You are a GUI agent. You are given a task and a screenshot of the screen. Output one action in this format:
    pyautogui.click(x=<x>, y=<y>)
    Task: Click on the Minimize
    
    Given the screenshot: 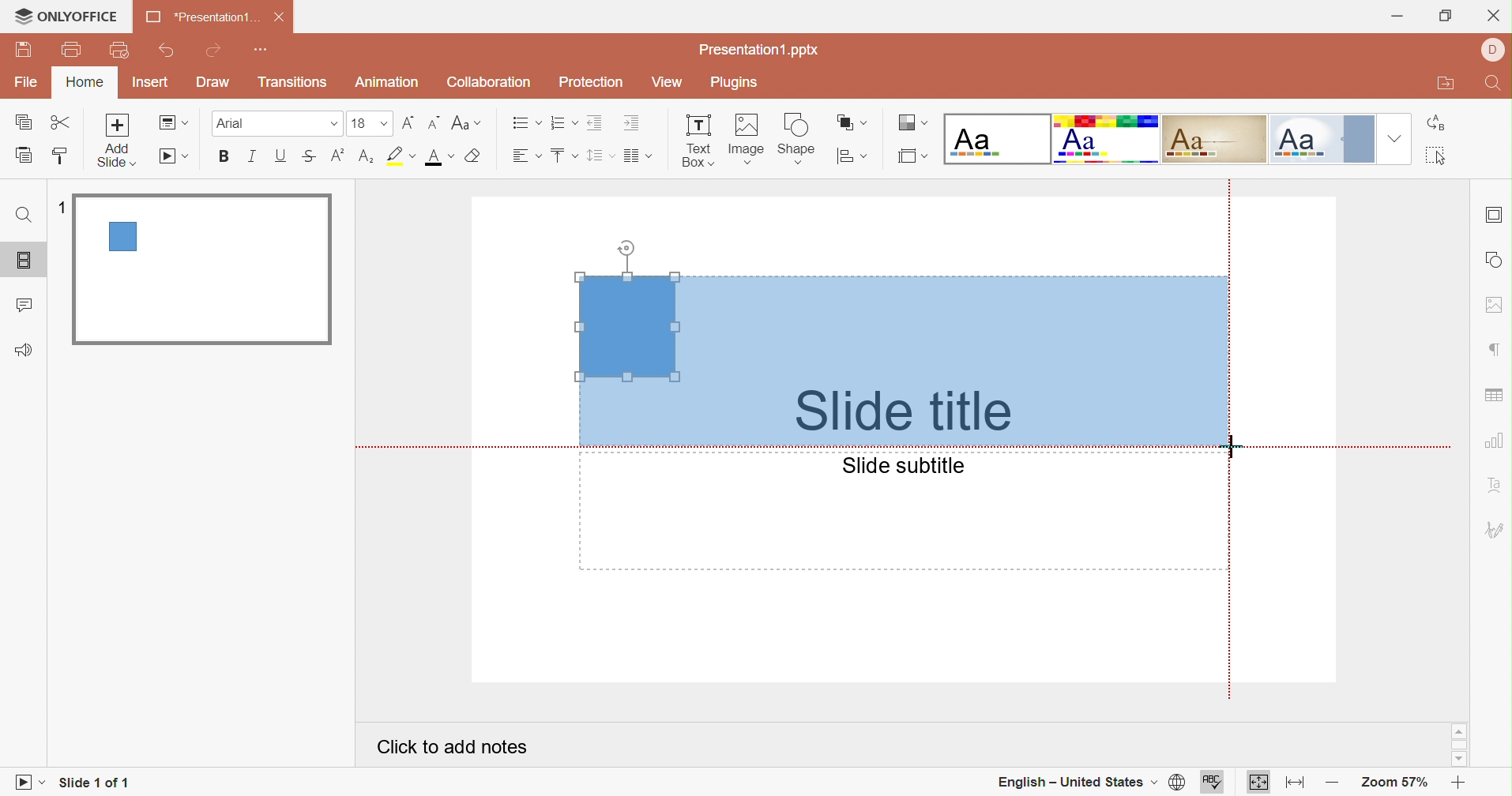 What is the action you would take?
    pyautogui.click(x=1401, y=19)
    